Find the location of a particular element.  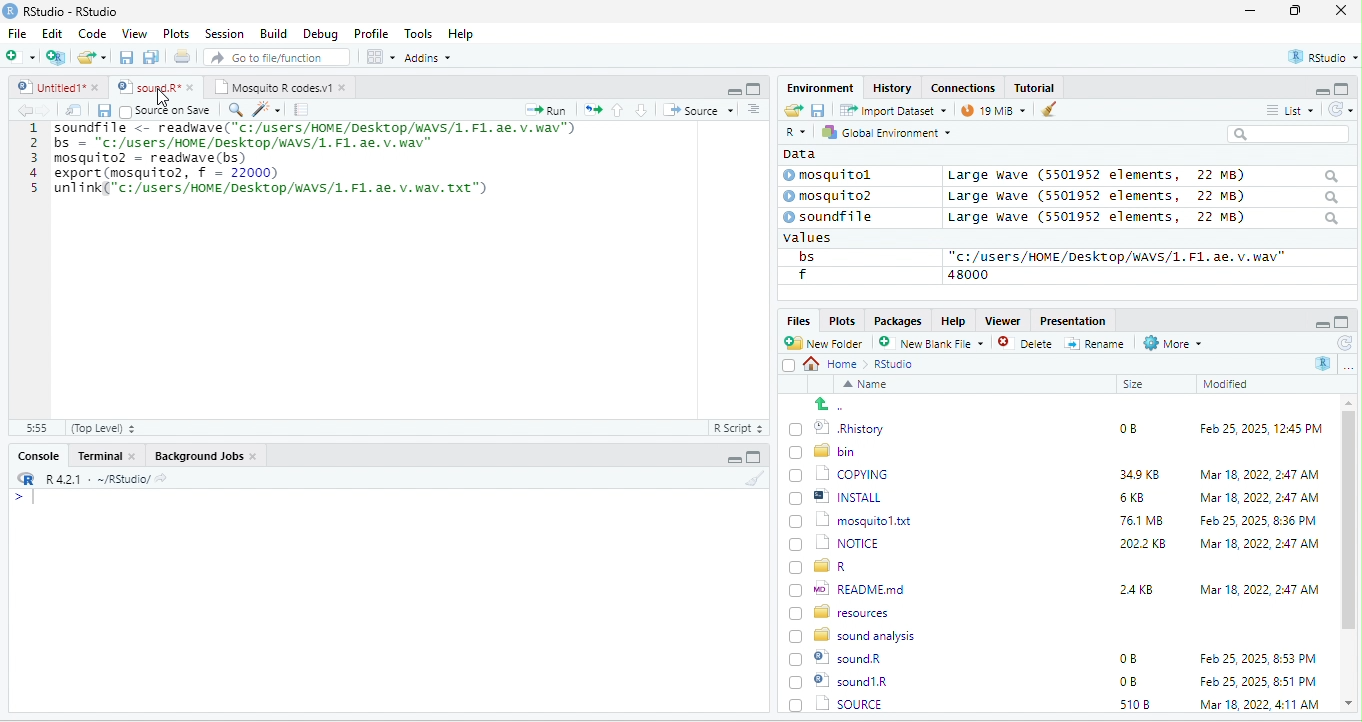

minimize is located at coordinates (1320, 323).